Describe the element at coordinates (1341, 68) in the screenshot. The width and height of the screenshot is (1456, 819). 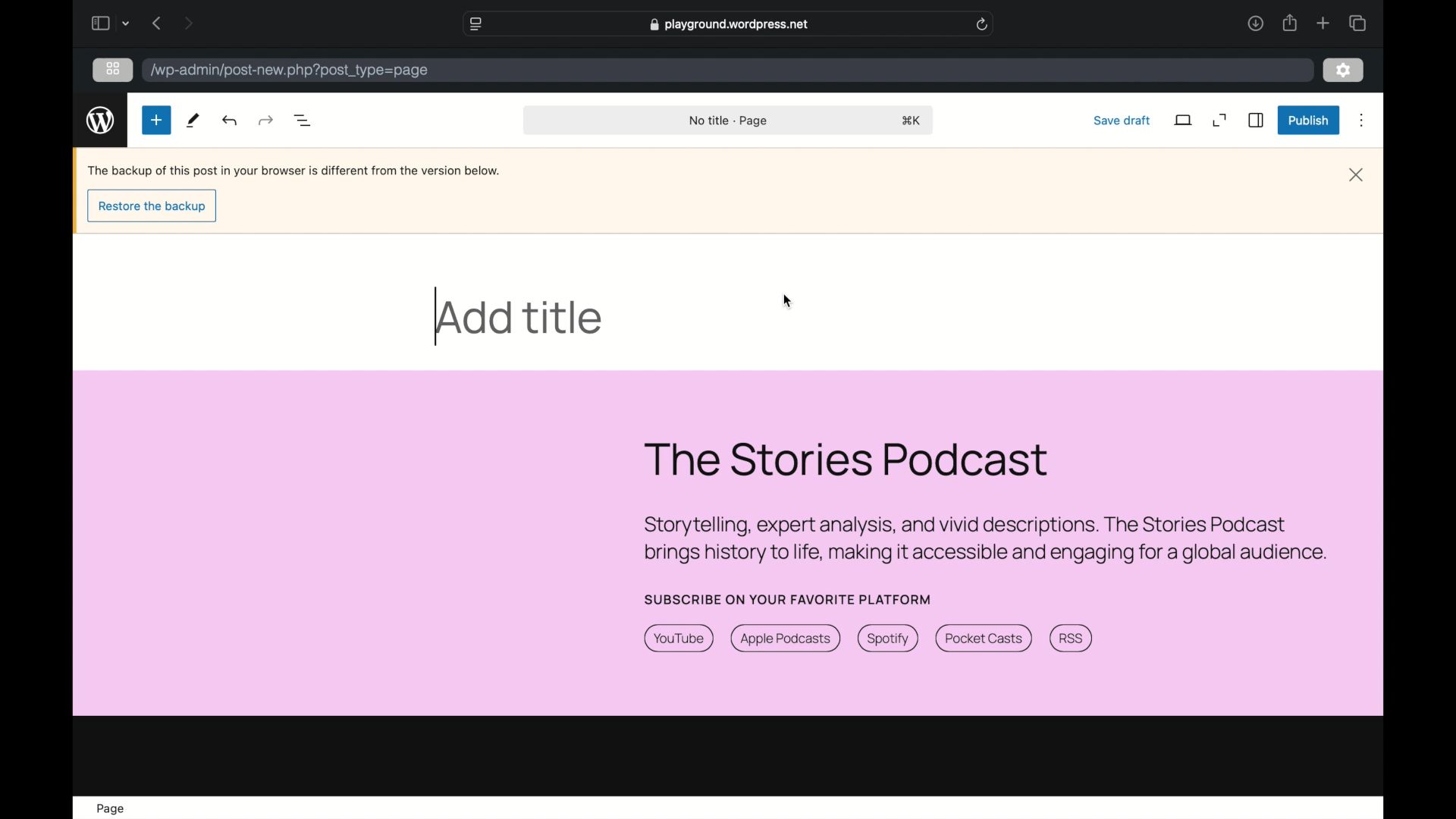
I see `settings` at that location.